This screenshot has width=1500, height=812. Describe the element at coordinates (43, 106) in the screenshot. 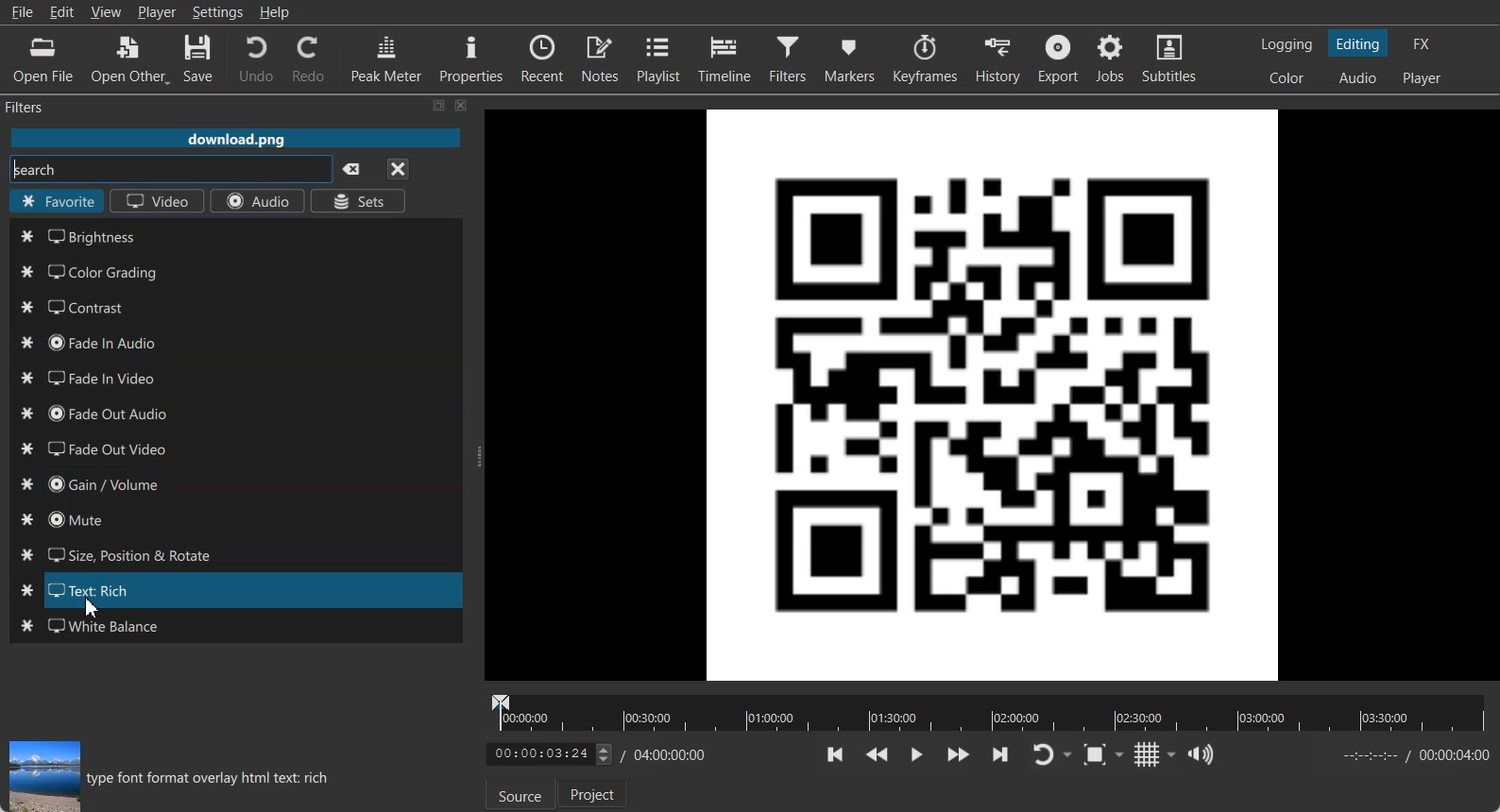

I see `Filters` at that location.